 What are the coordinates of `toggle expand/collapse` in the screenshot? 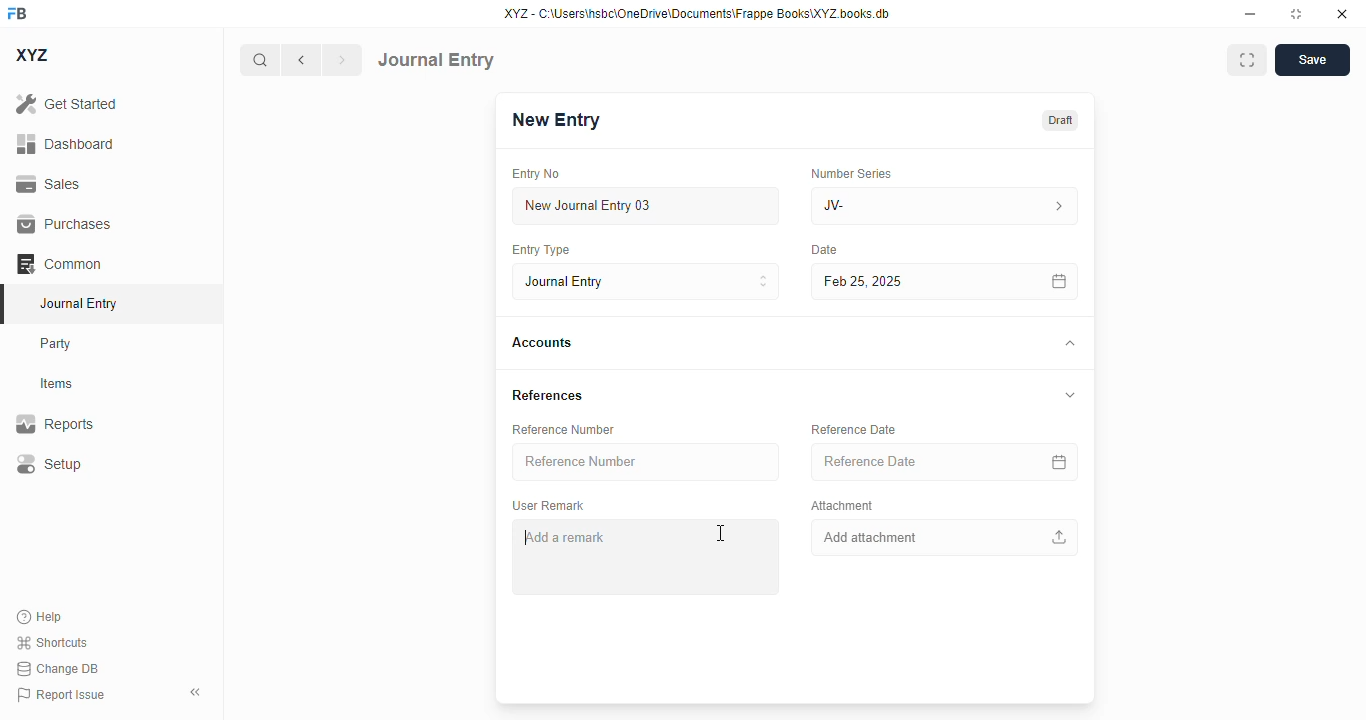 It's located at (1066, 343).